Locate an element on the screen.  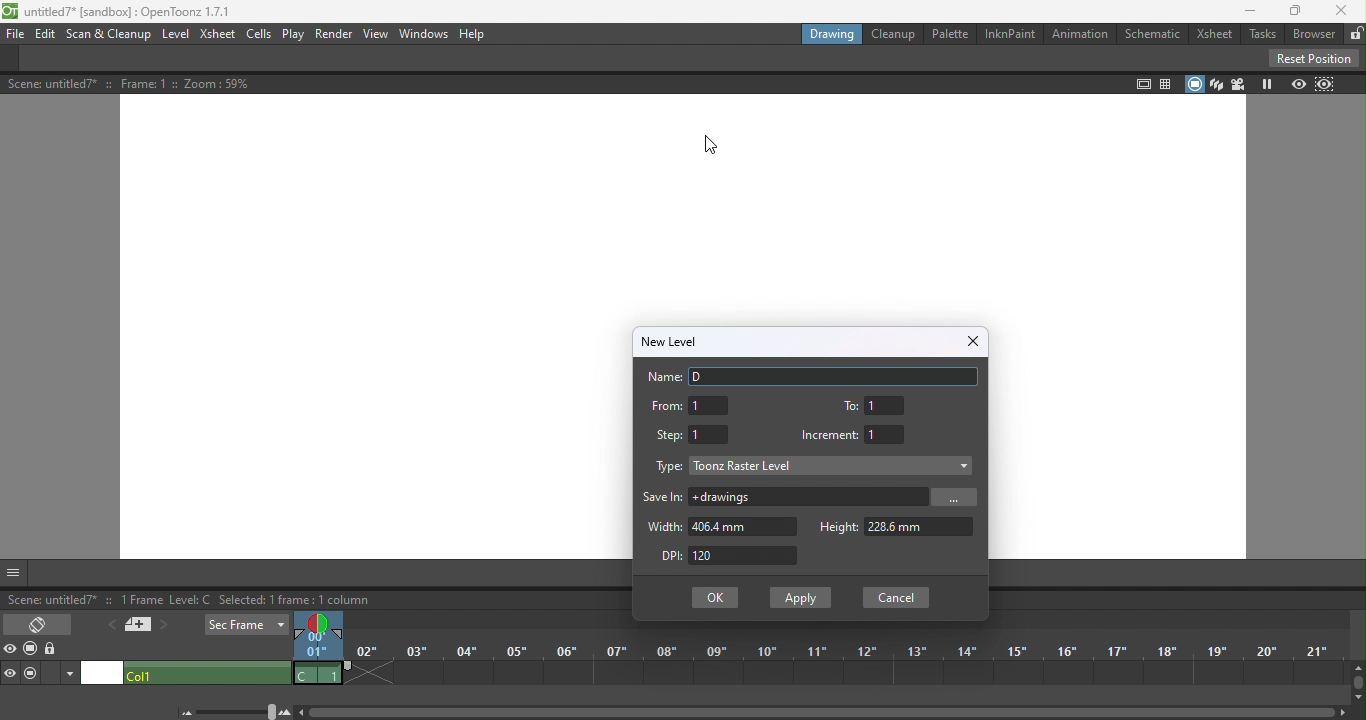
Apply is located at coordinates (799, 598).